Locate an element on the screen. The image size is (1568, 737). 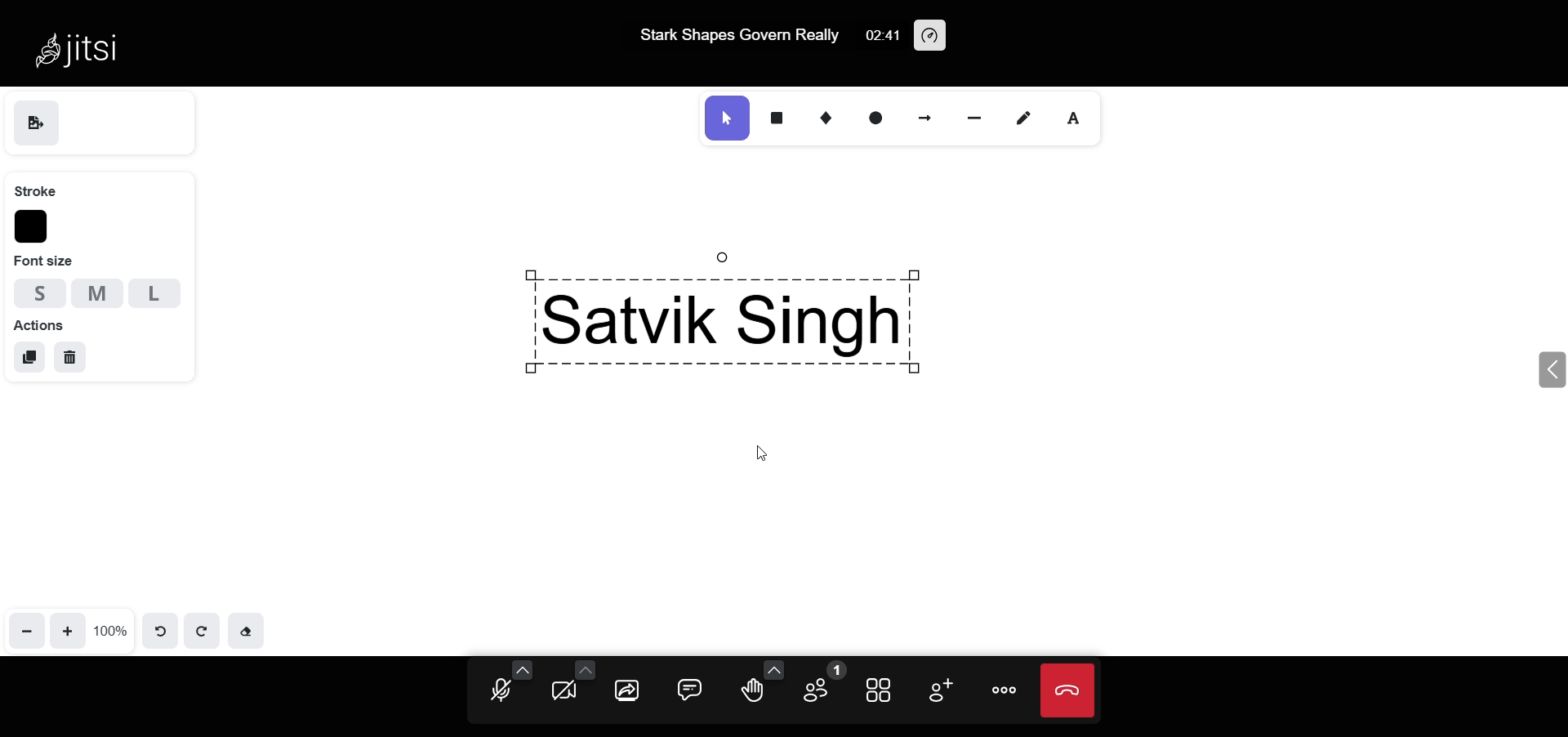
redo is located at coordinates (202, 629).